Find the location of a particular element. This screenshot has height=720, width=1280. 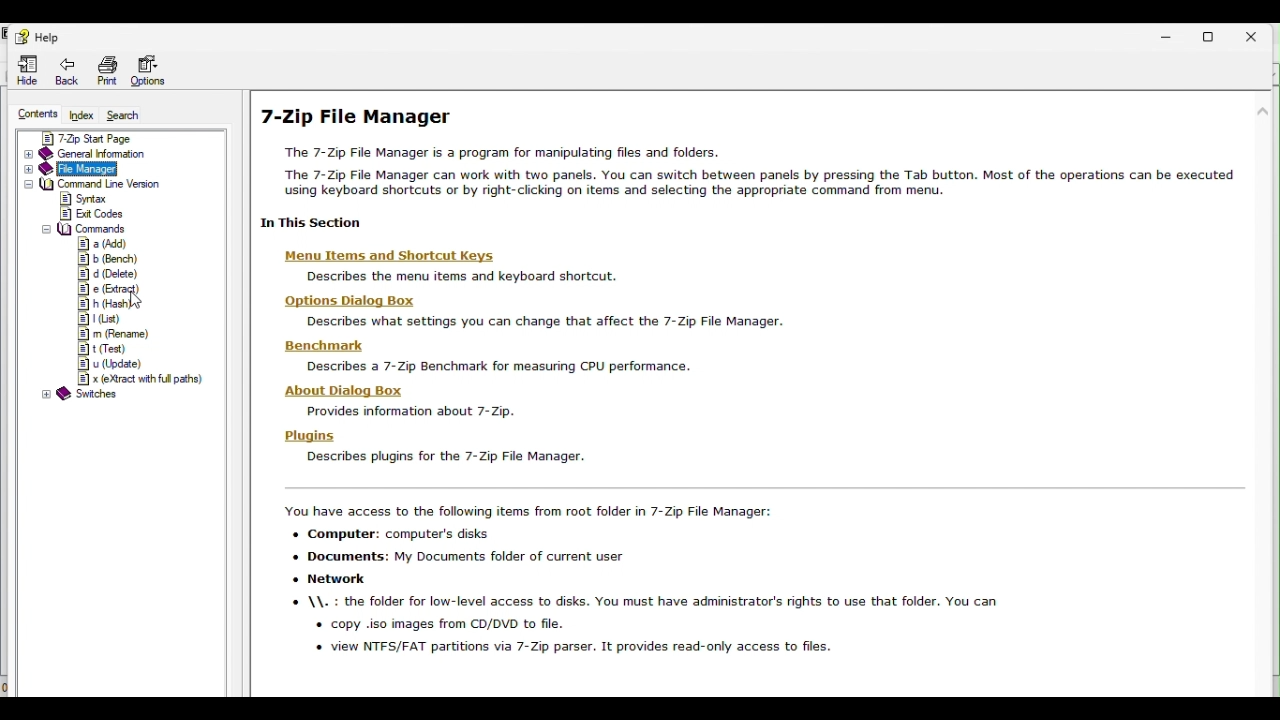

Syntax is located at coordinates (86, 198).